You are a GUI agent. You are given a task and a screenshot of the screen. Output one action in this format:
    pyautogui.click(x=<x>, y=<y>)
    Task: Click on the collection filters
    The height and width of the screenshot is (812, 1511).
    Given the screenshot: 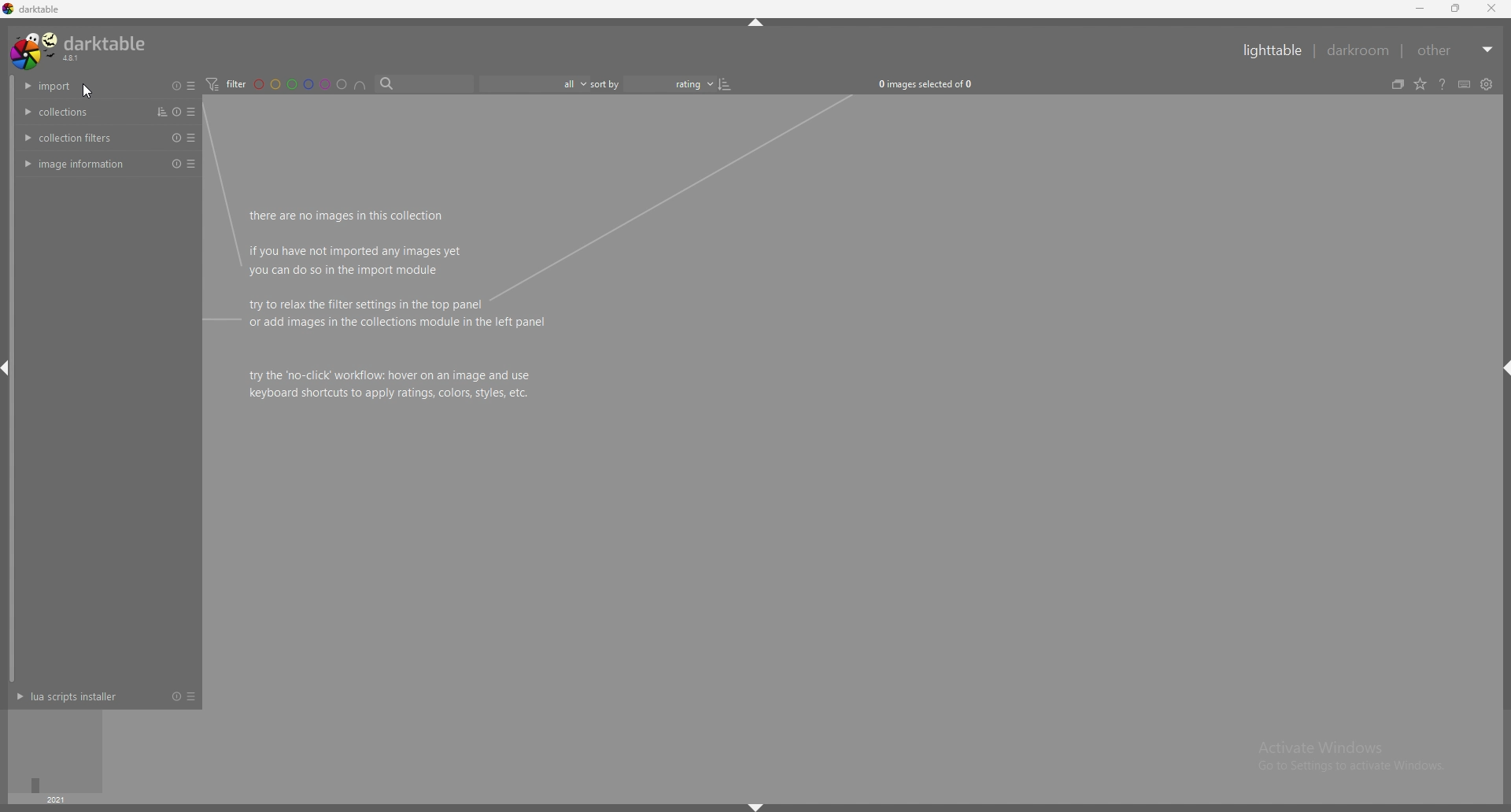 What is the action you would take?
    pyautogui.click(x=78, y=137)
    